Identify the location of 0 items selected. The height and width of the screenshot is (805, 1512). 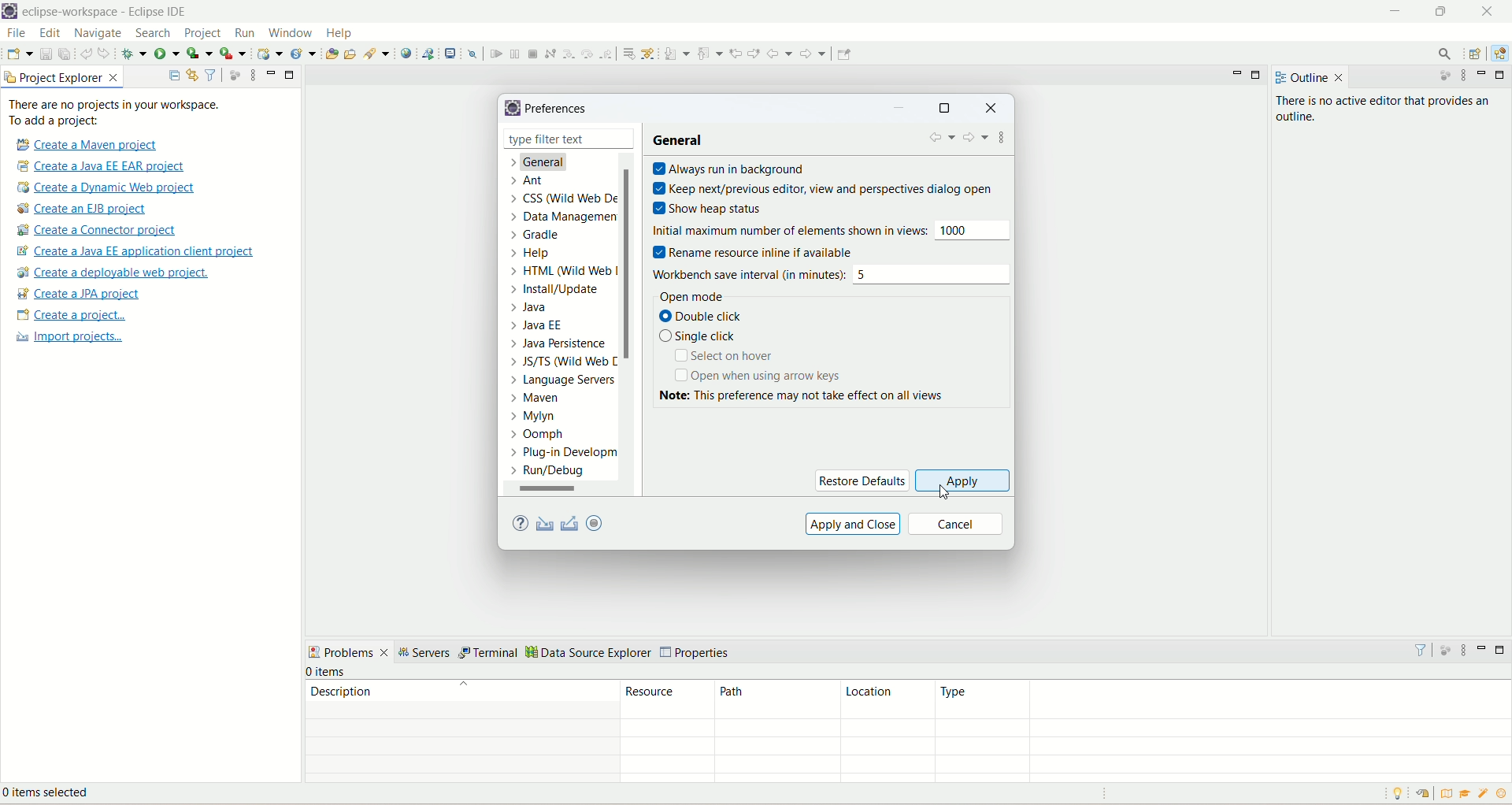
(57, 795).